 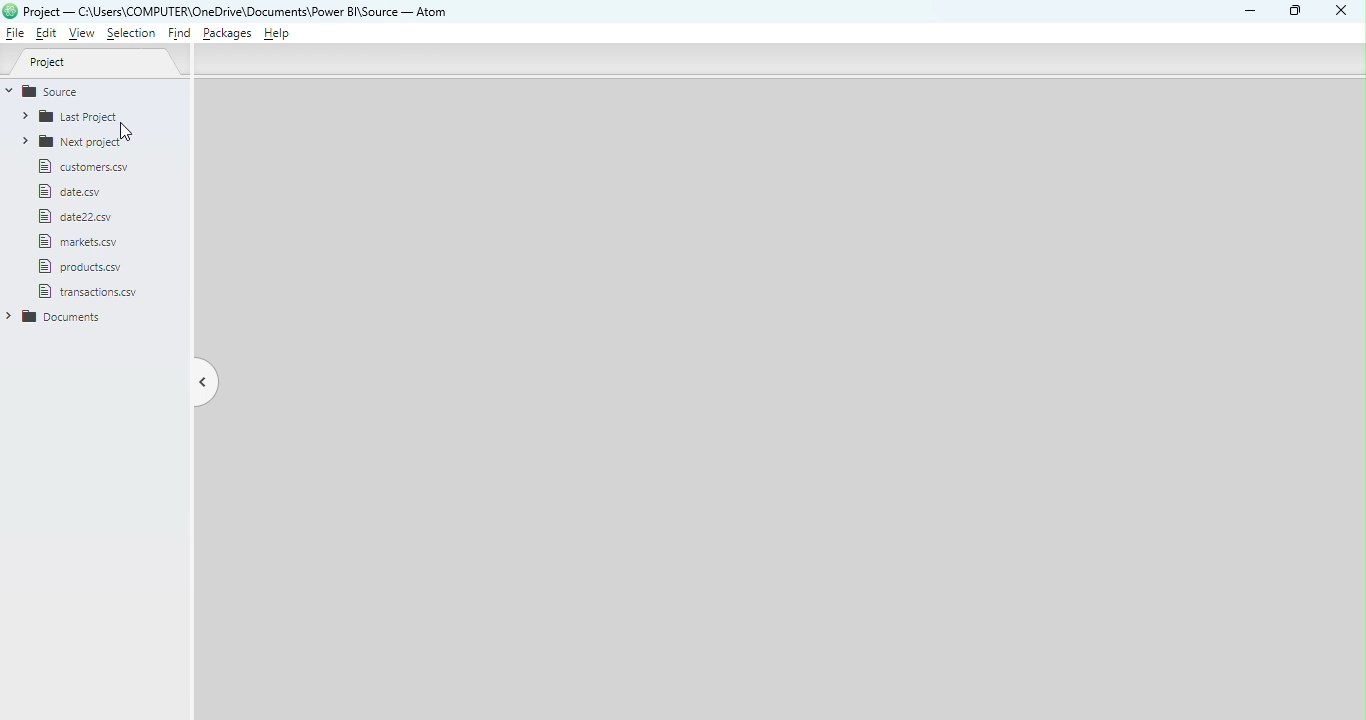 What do you see at coordinates (131, 34) in the screenshot?
I see `Selection` at bounding box center [131, 34].